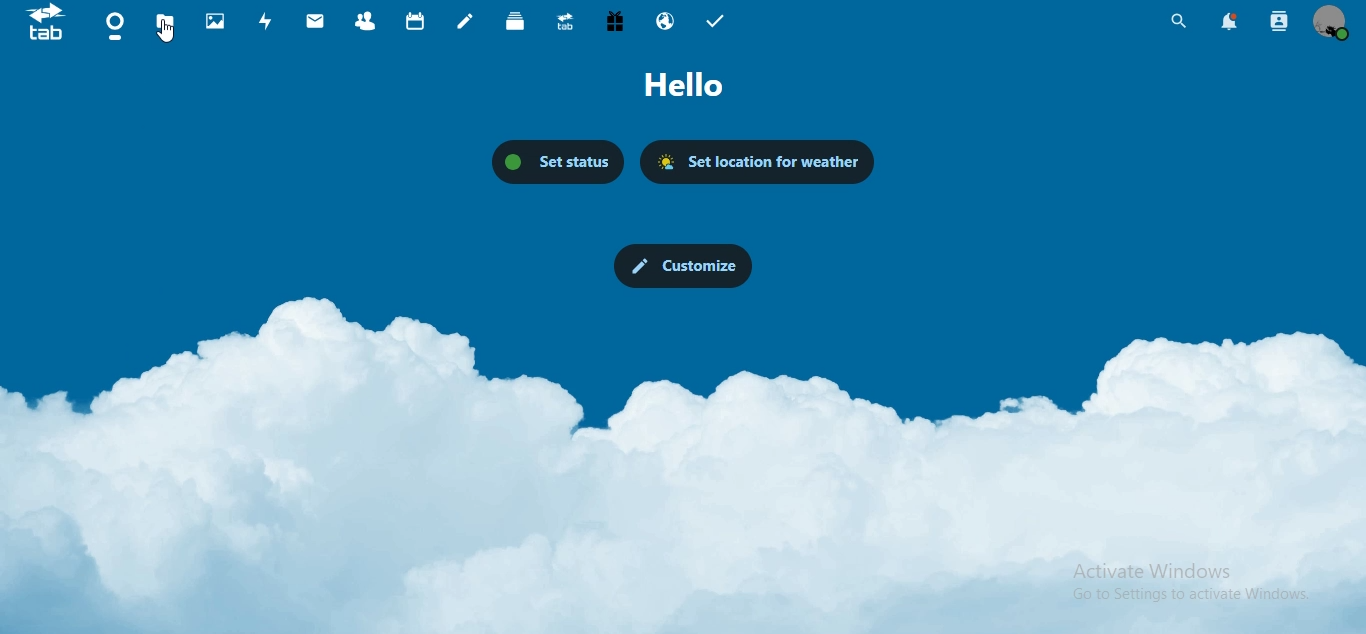  What do you see at coordinates (565, 24) in the screenshot?
I see `synology` at bounding box center [565, 24].